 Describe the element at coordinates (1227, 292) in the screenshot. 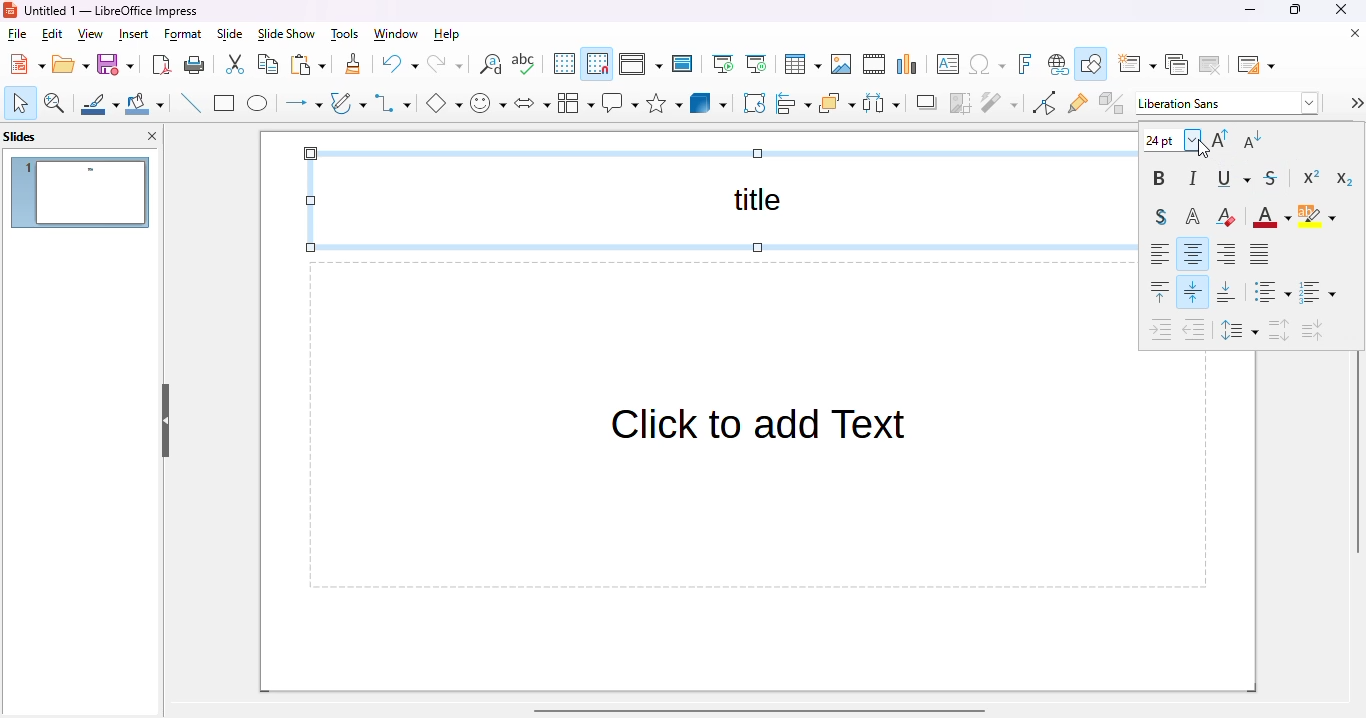

I see `align bottom` at that location.